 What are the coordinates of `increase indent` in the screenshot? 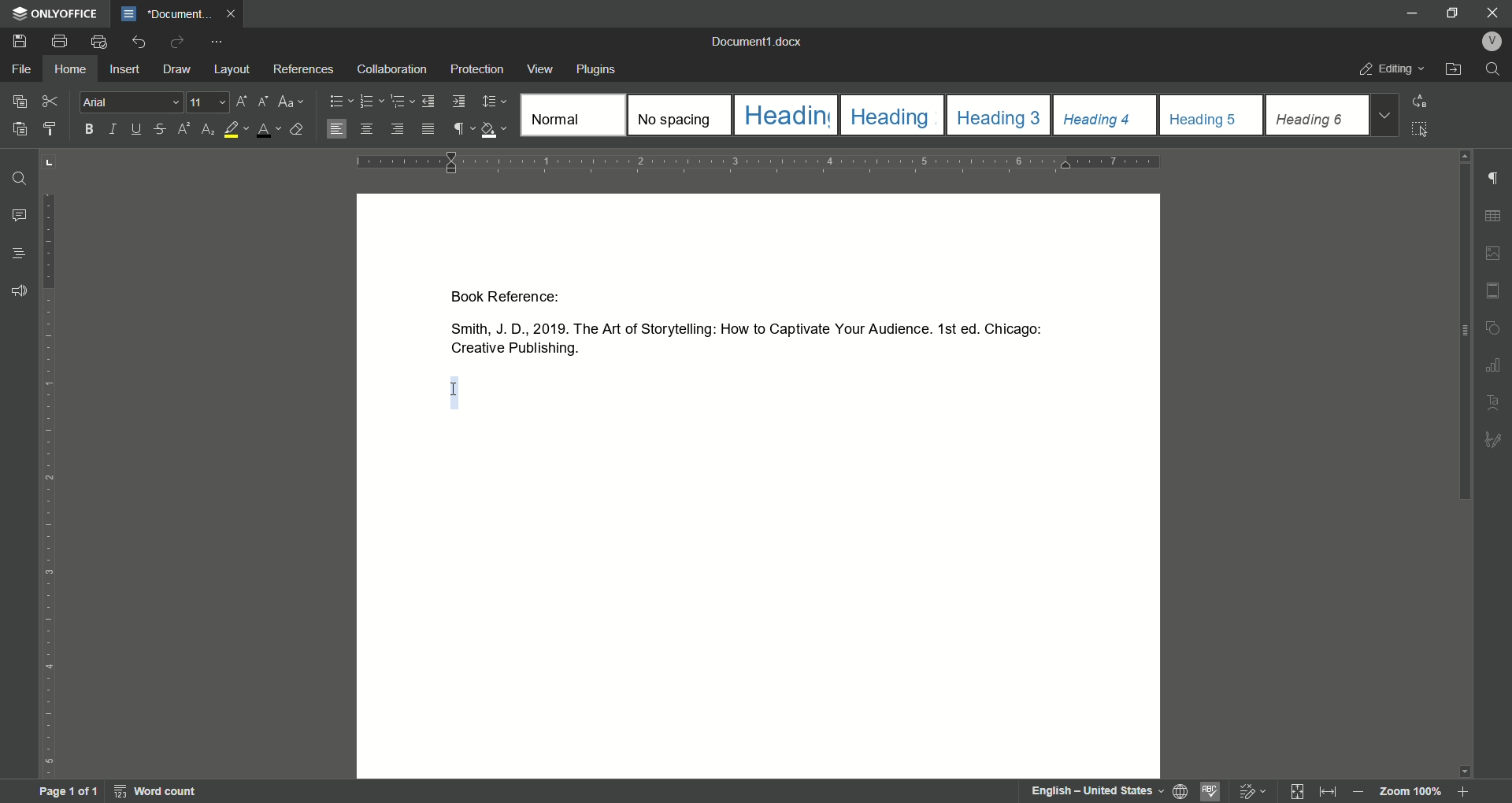 It's located at (458, 102).